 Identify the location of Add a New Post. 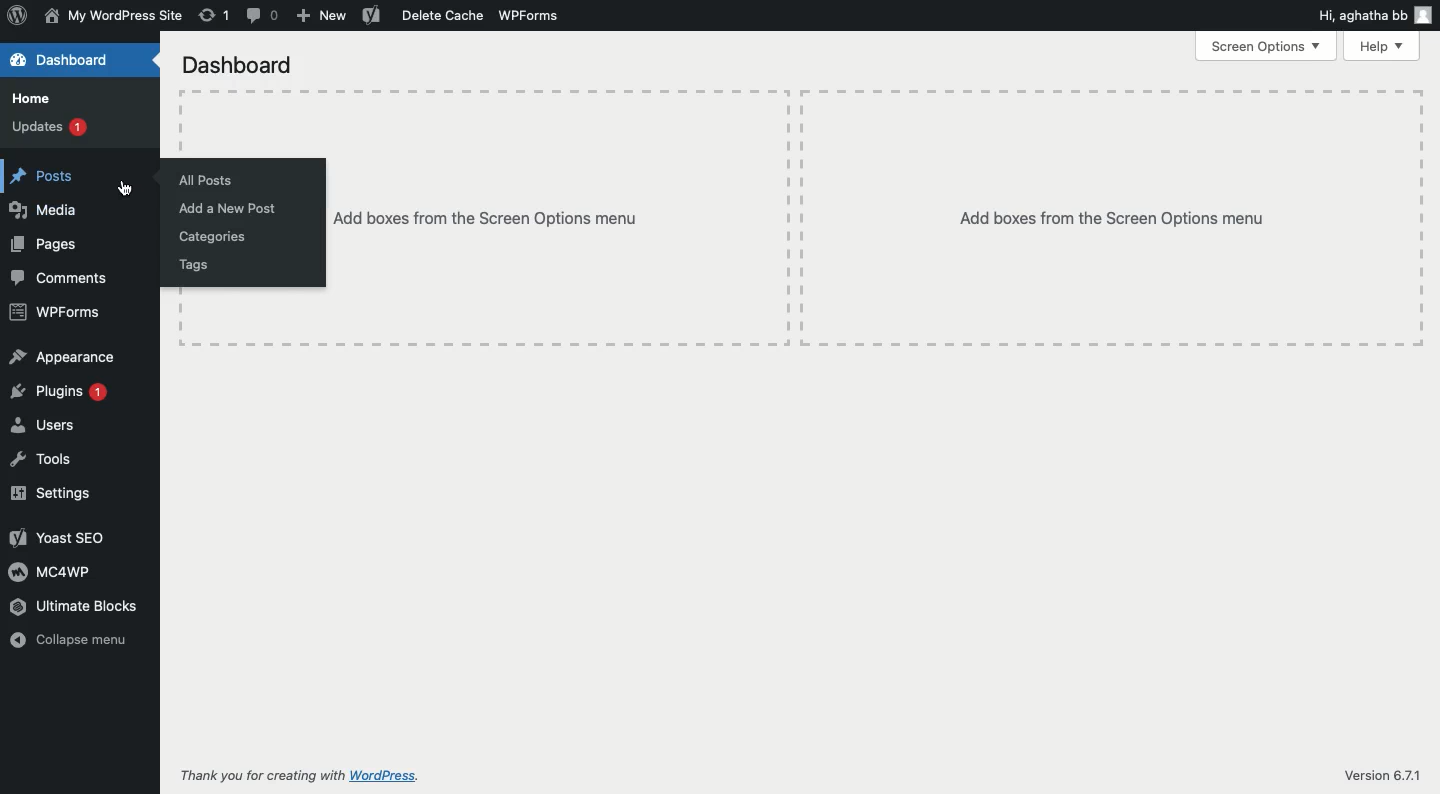
(240, 208).